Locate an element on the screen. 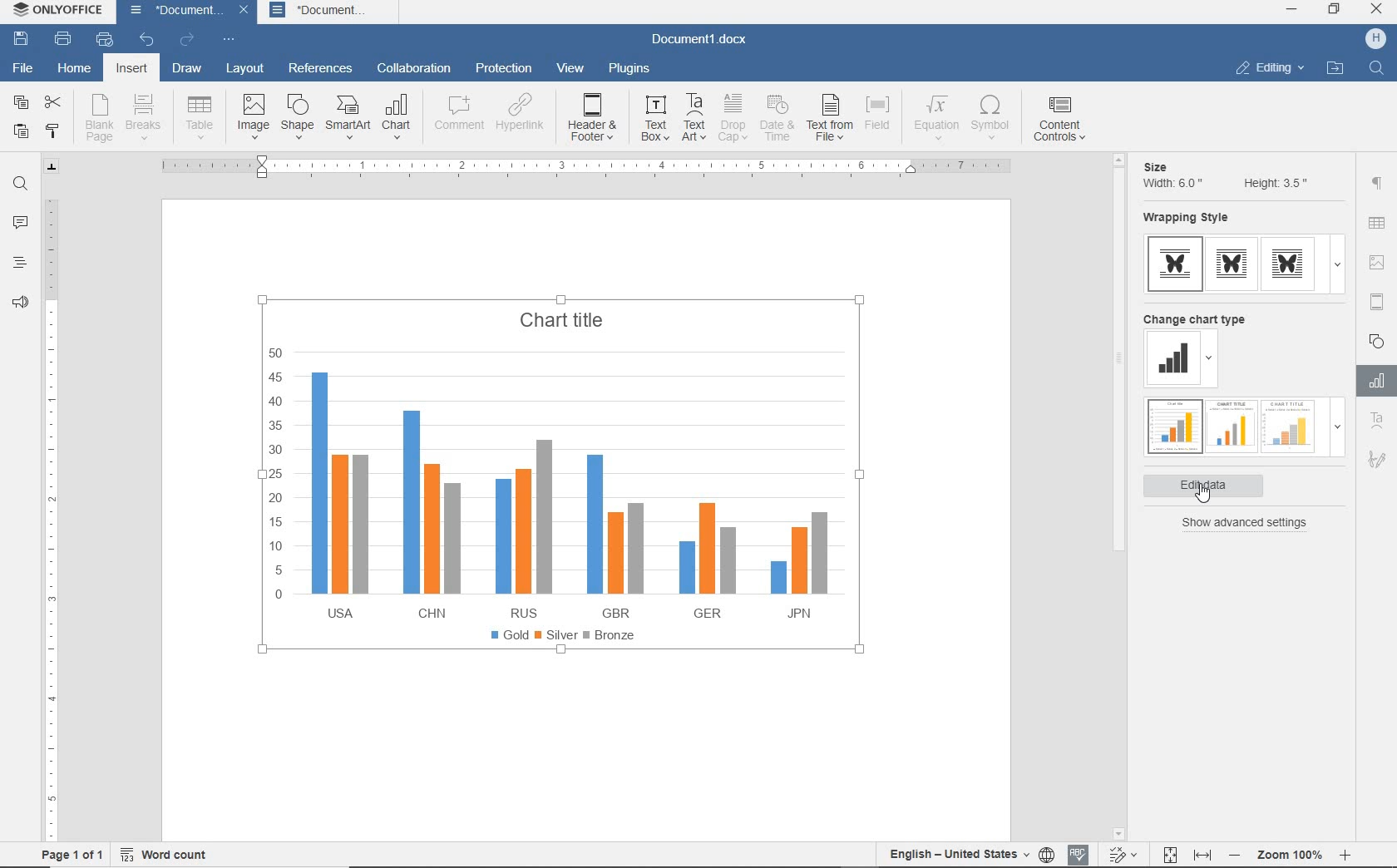 This screenshot has height=868, width=1397. home is located at coordinates (74, 71).